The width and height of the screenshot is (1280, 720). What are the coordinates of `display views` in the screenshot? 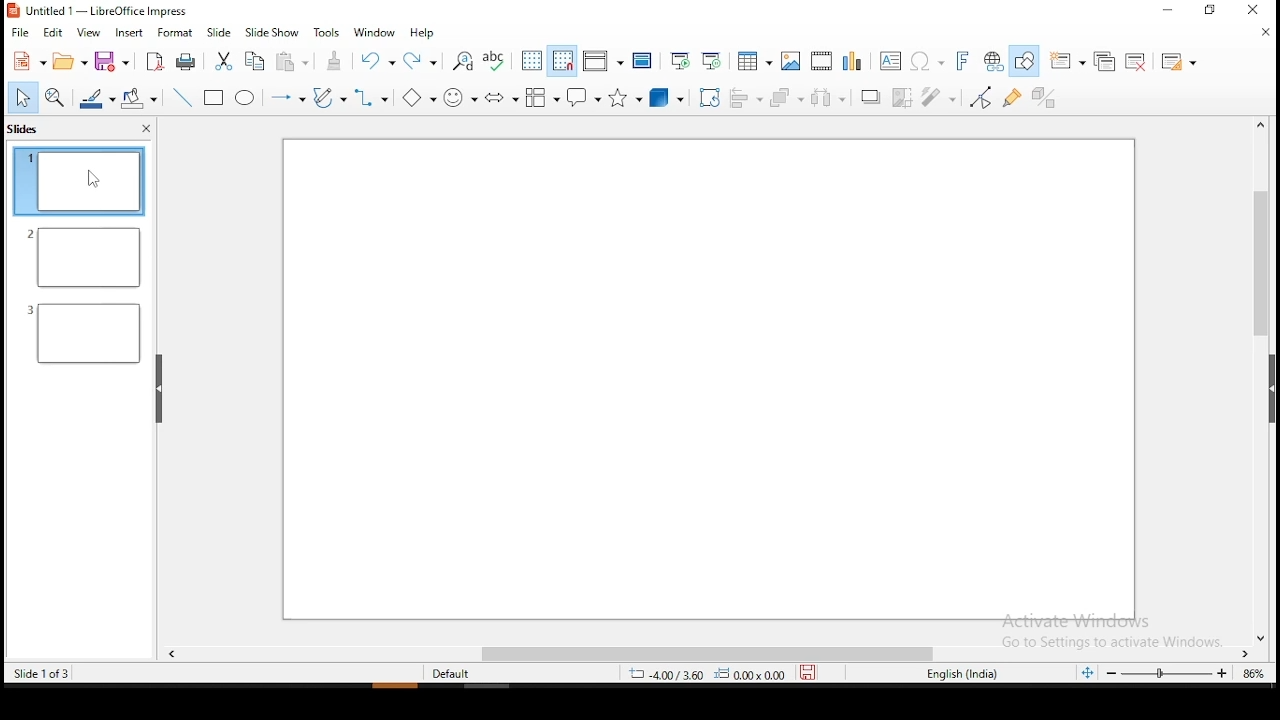 It's located at (602, 62).